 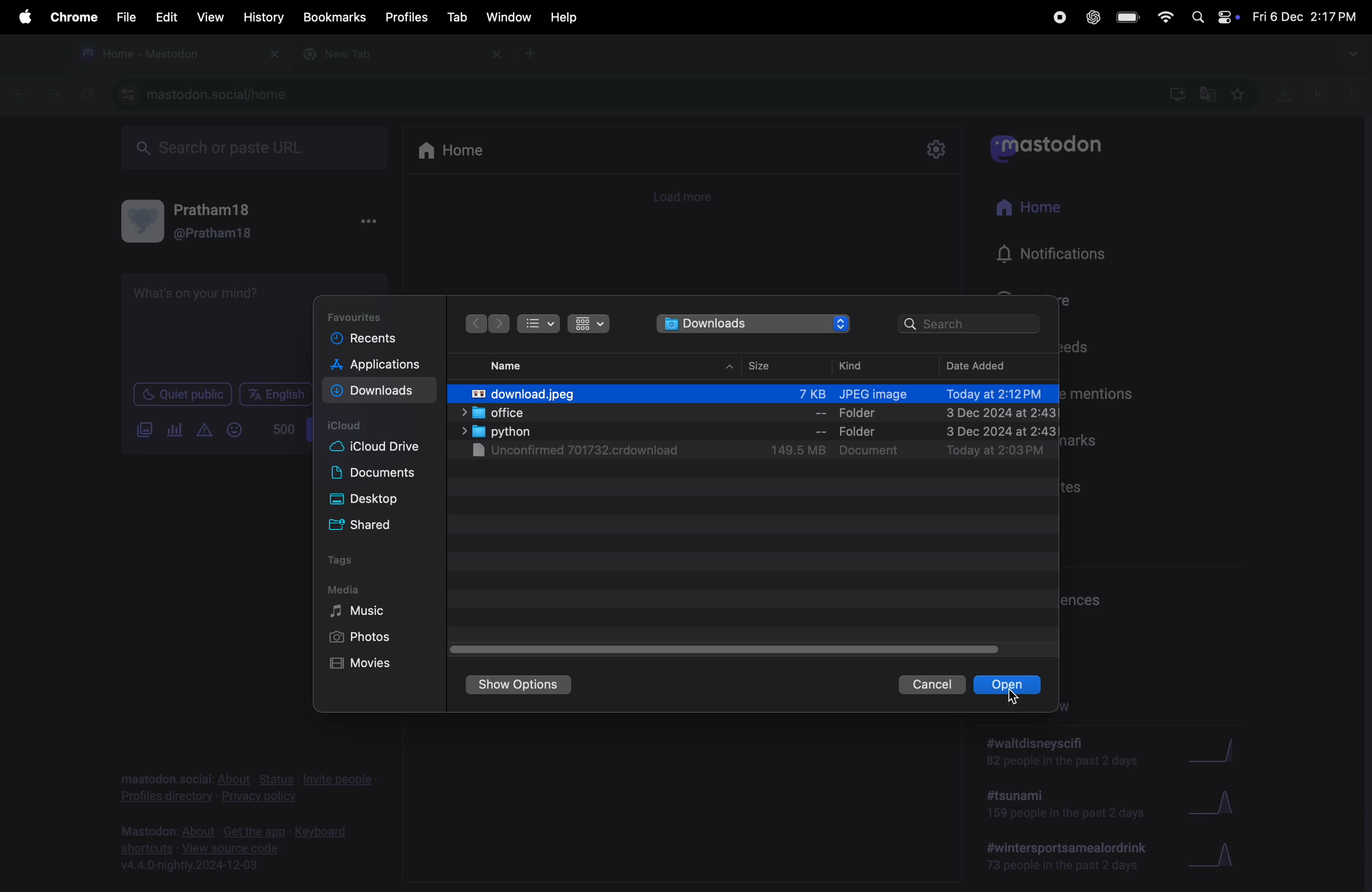 What do you see at coordinates (1071, 857) in the screenshot?
I see `#wintersportmeal drink` at bounding box center [1071, 857].